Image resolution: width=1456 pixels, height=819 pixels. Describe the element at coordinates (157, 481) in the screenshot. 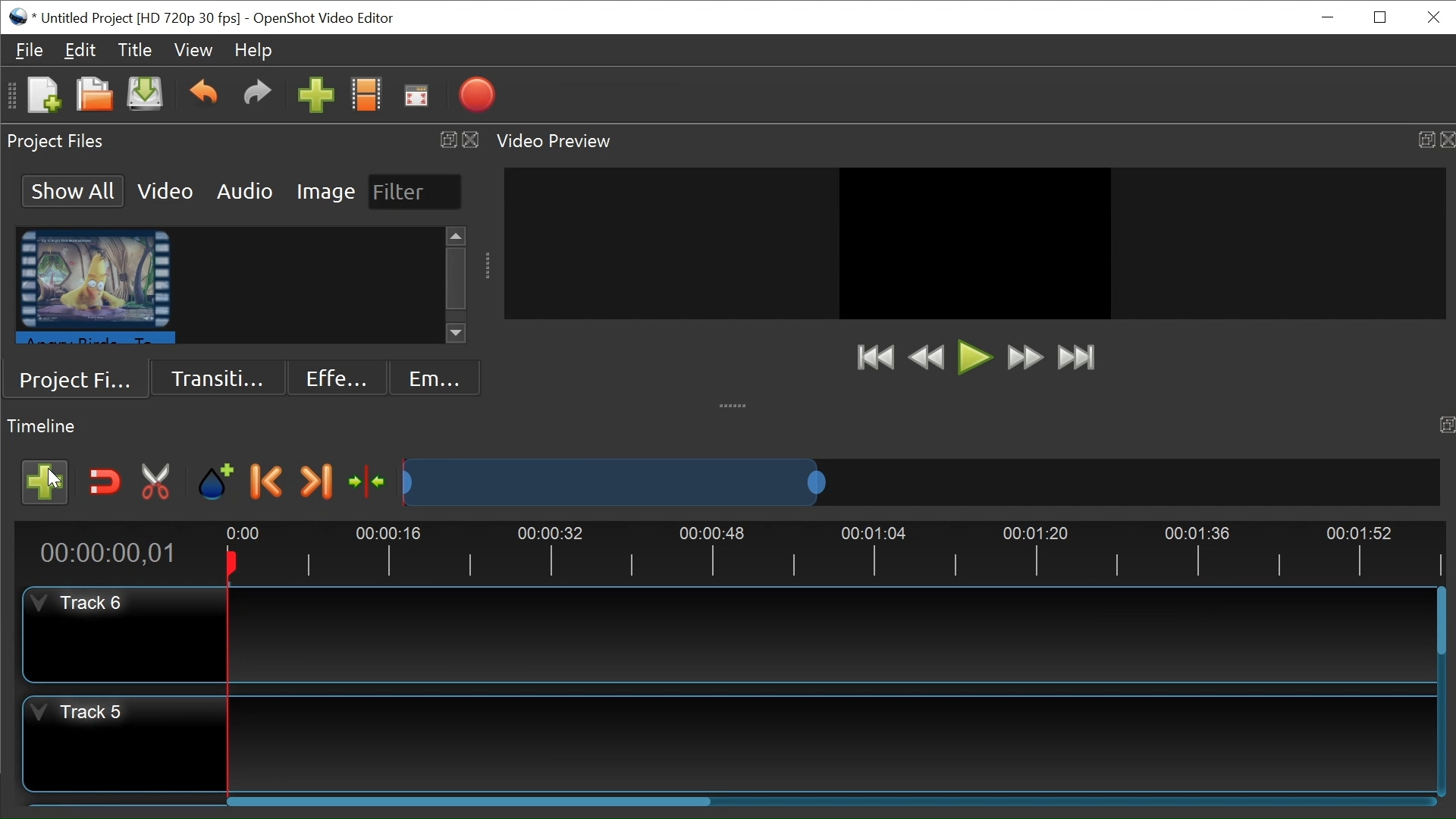

I see `Razor` at that location.